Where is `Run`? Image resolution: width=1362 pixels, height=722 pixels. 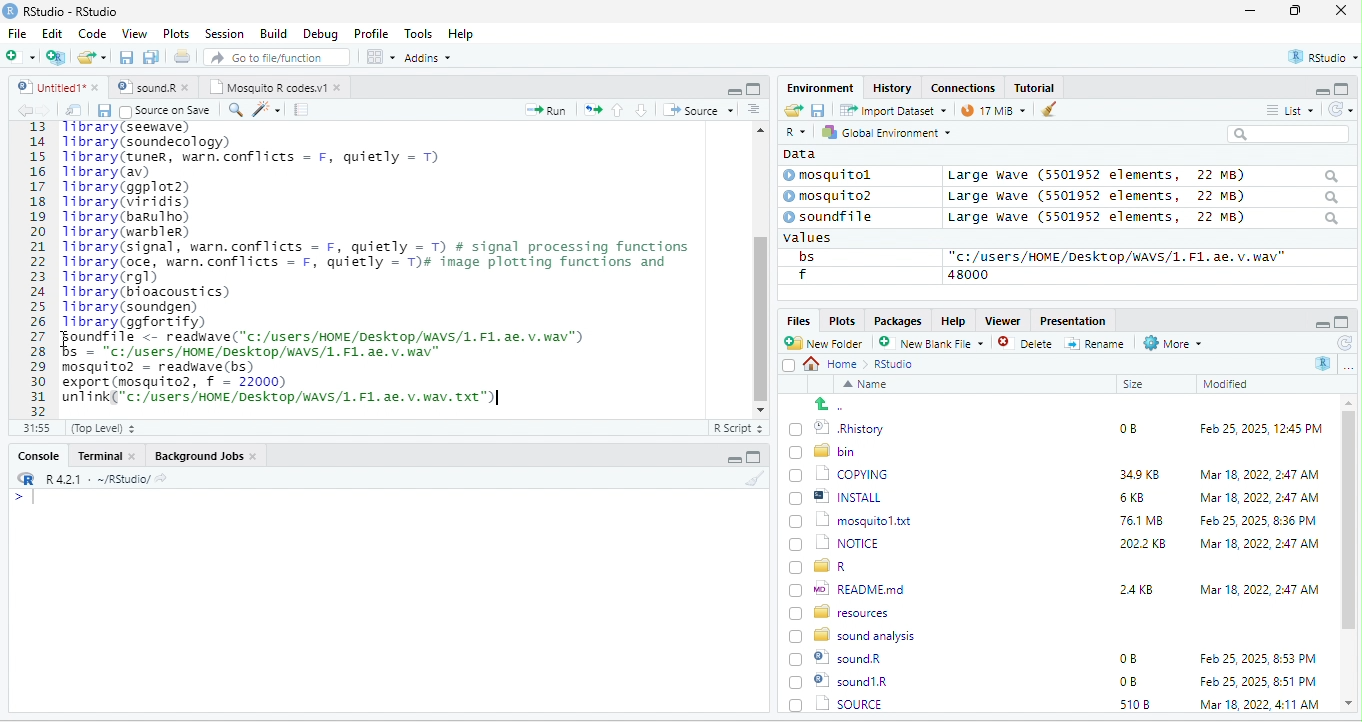
Run is located at coordinates (542, 110).